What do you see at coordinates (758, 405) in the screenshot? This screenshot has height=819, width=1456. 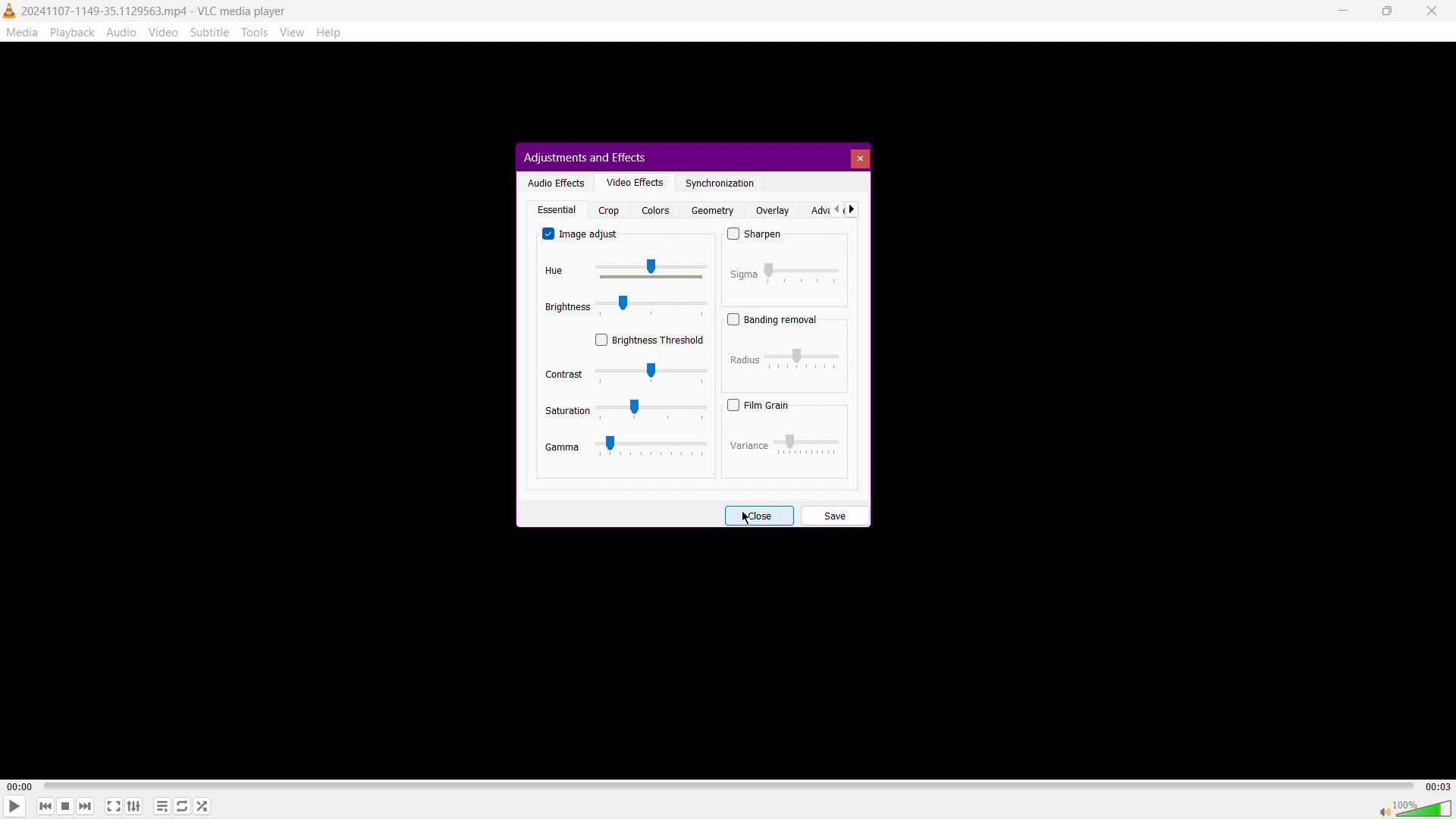 I see `Film Grain` at bounding box center [758, 405].